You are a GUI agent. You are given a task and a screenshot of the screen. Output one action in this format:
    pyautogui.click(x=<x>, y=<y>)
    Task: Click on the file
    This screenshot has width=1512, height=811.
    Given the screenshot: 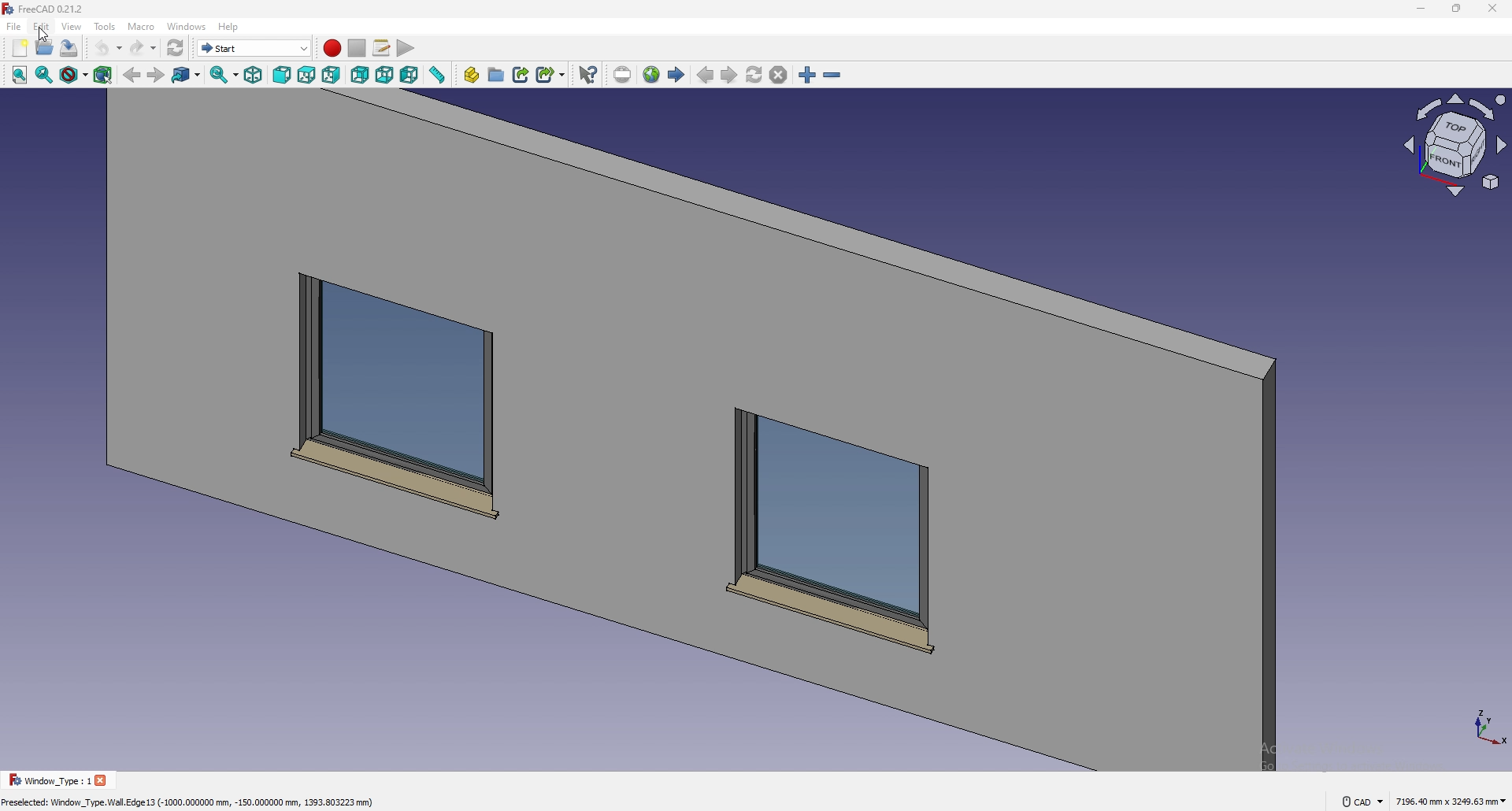 What is the action you would take?
    pyautogui.click(x=14, y=27)
    